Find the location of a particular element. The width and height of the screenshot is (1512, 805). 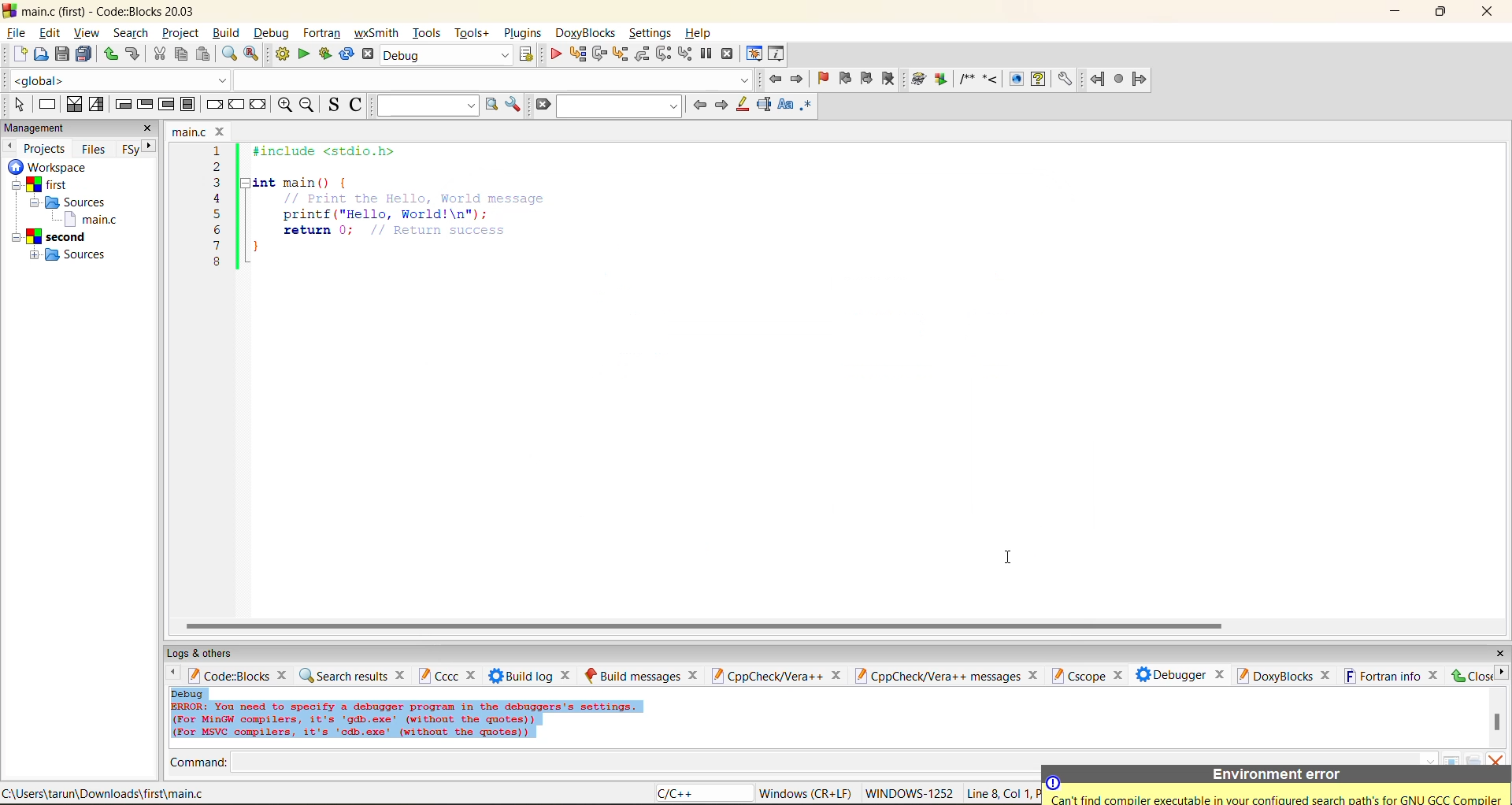

run to cursor is located at coordinates (576, 54).